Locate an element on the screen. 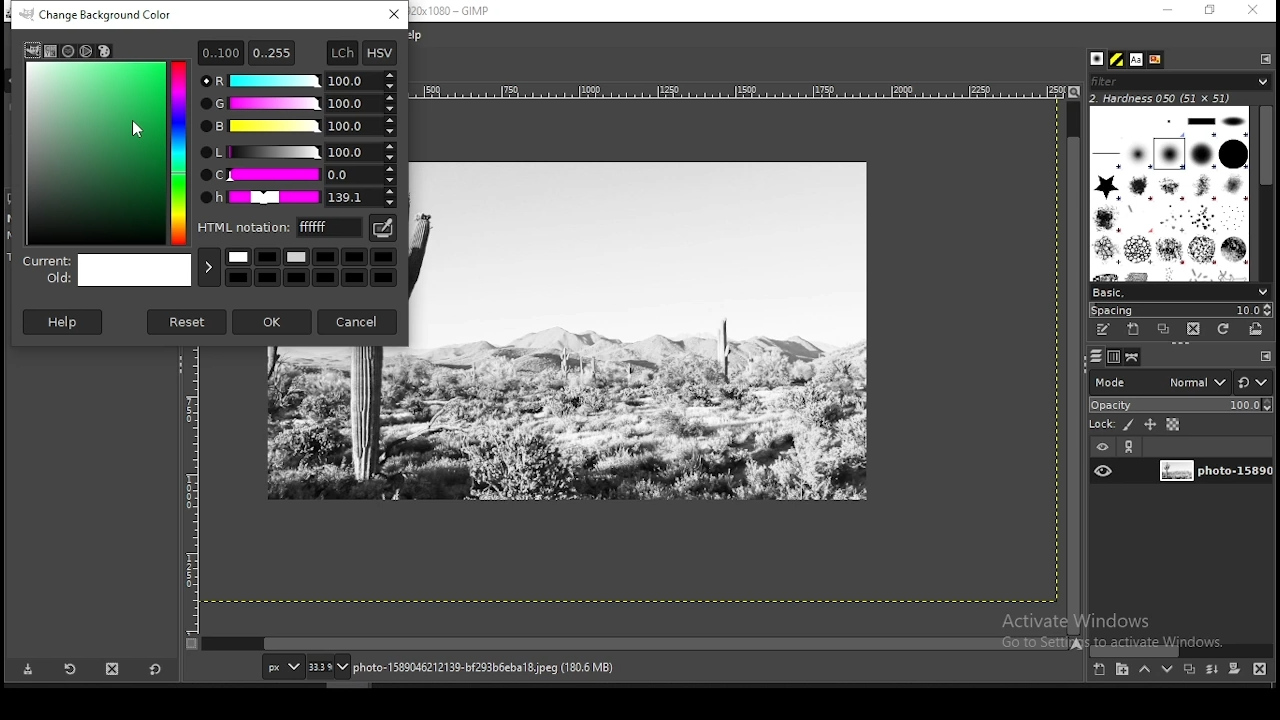  refresh brush is located at coordinates (1223, 329).